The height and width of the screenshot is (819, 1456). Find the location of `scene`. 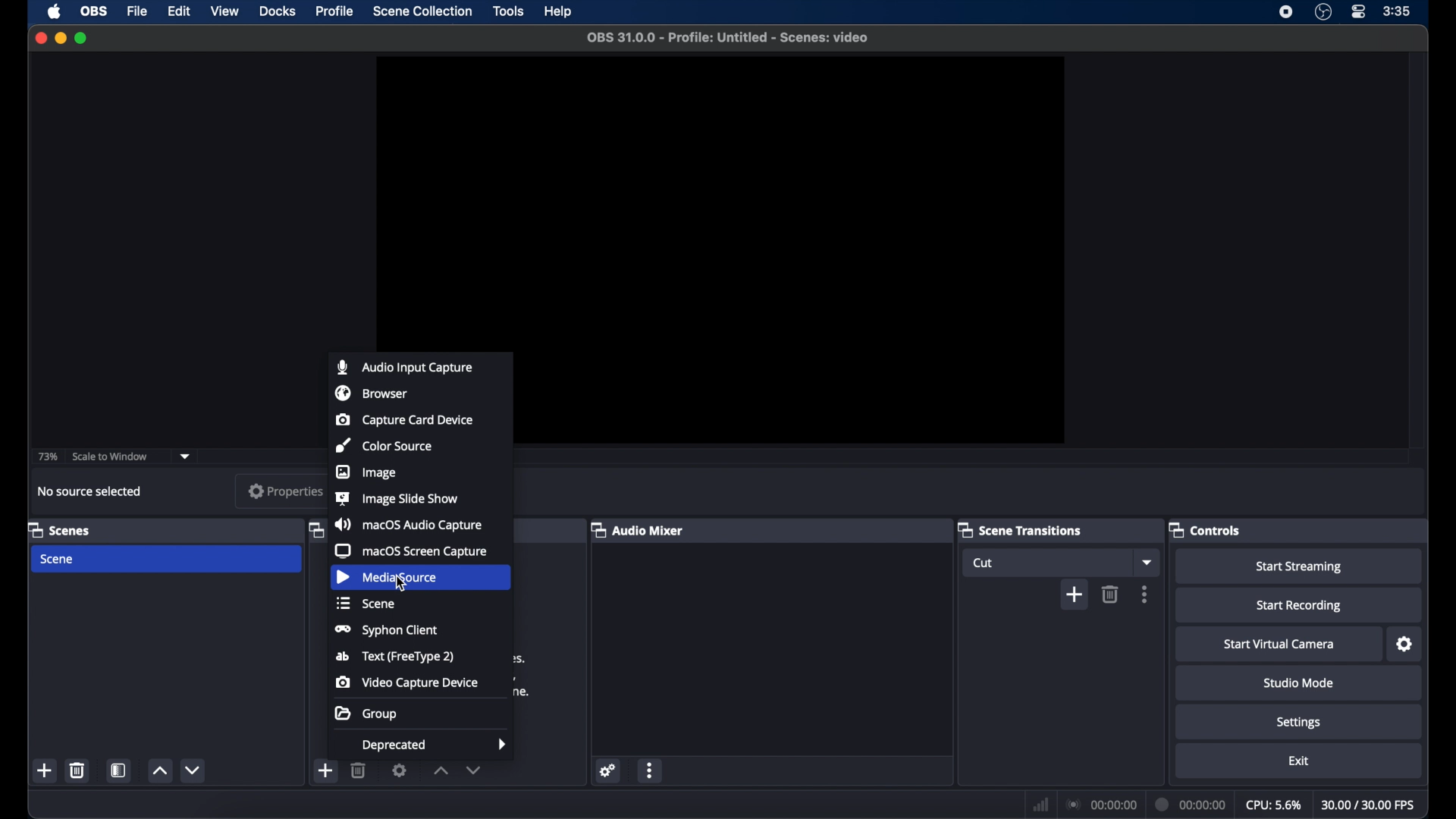

scene is located at coordinates (365, 604).